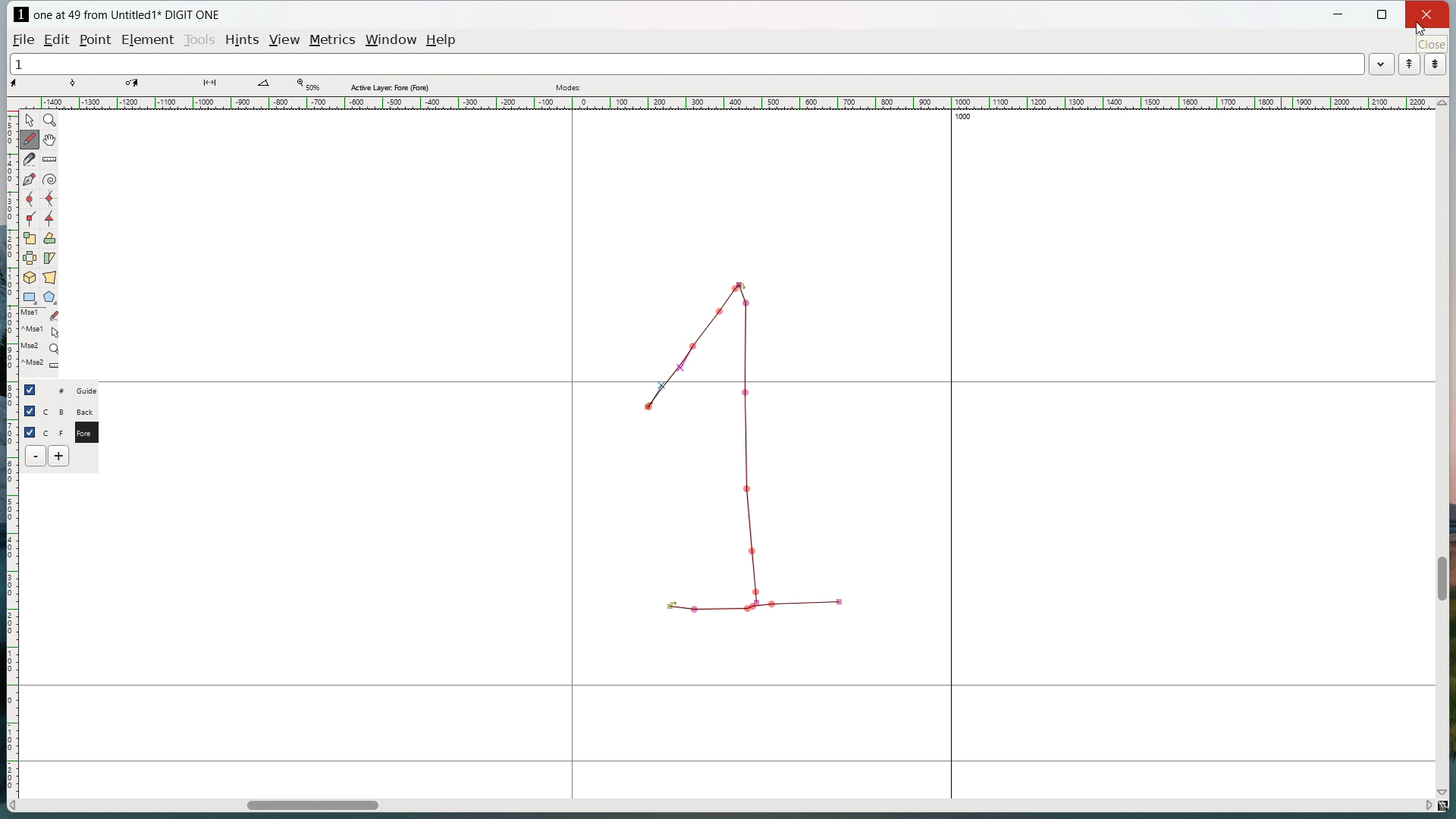  I want to click on angle between lines, so click(272, 86).